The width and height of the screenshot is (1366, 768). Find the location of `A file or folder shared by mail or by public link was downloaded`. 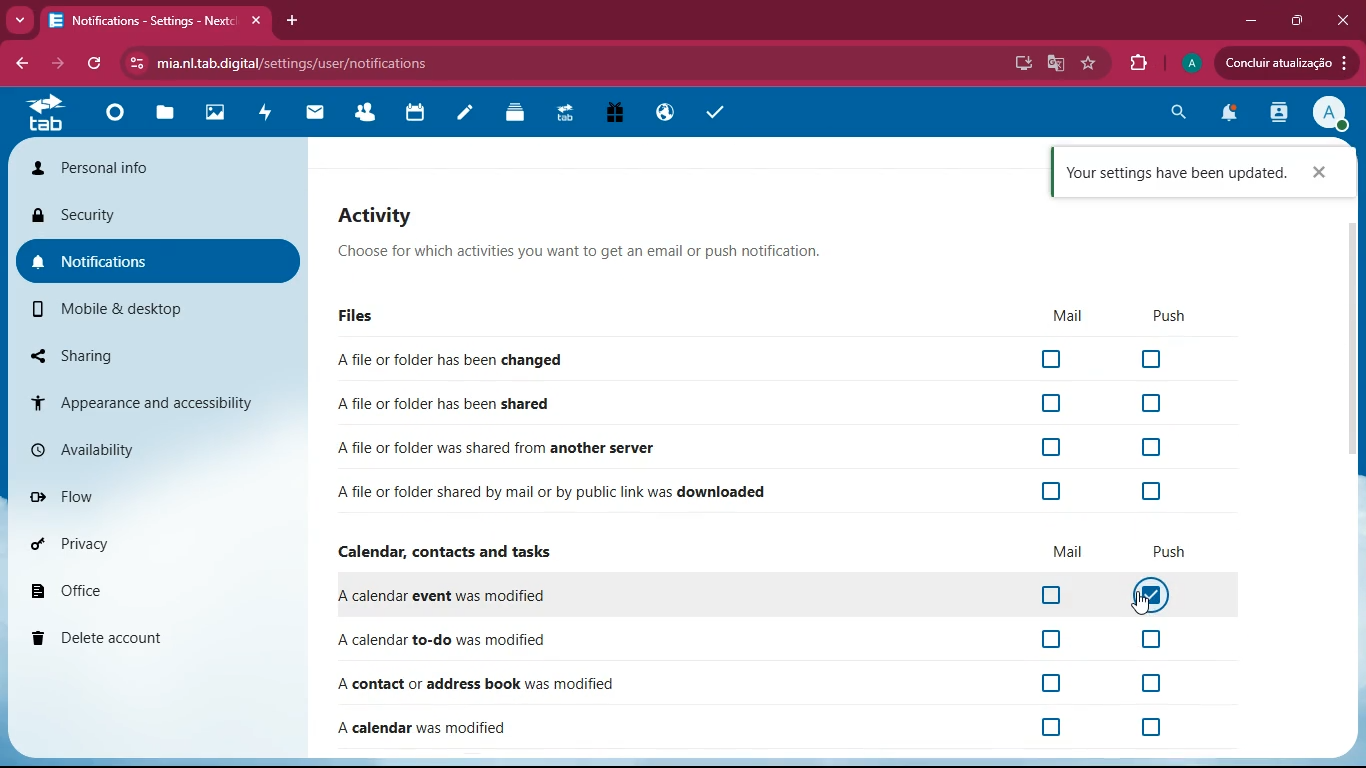

A file or folder shared by mail or by public link was downloaded is located at coordinates (559, 493).